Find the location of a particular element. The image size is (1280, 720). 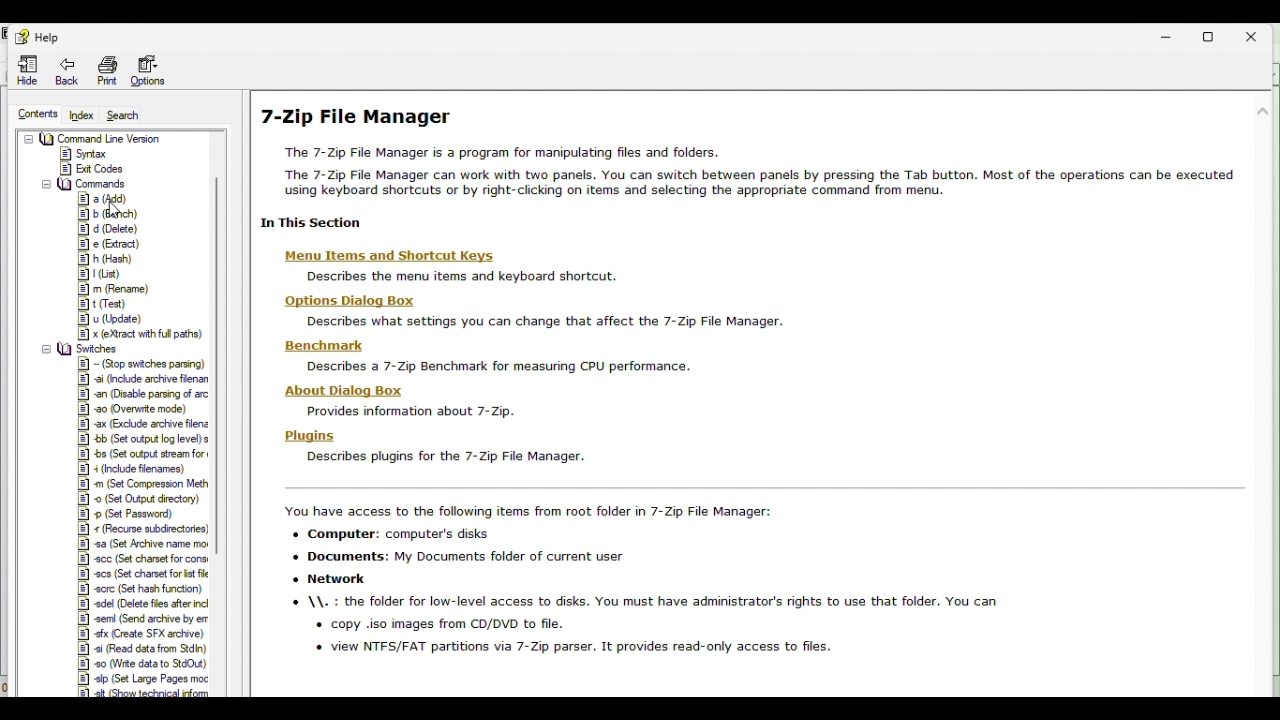

7-Zip File Manager is located at coordinates (353, 116).